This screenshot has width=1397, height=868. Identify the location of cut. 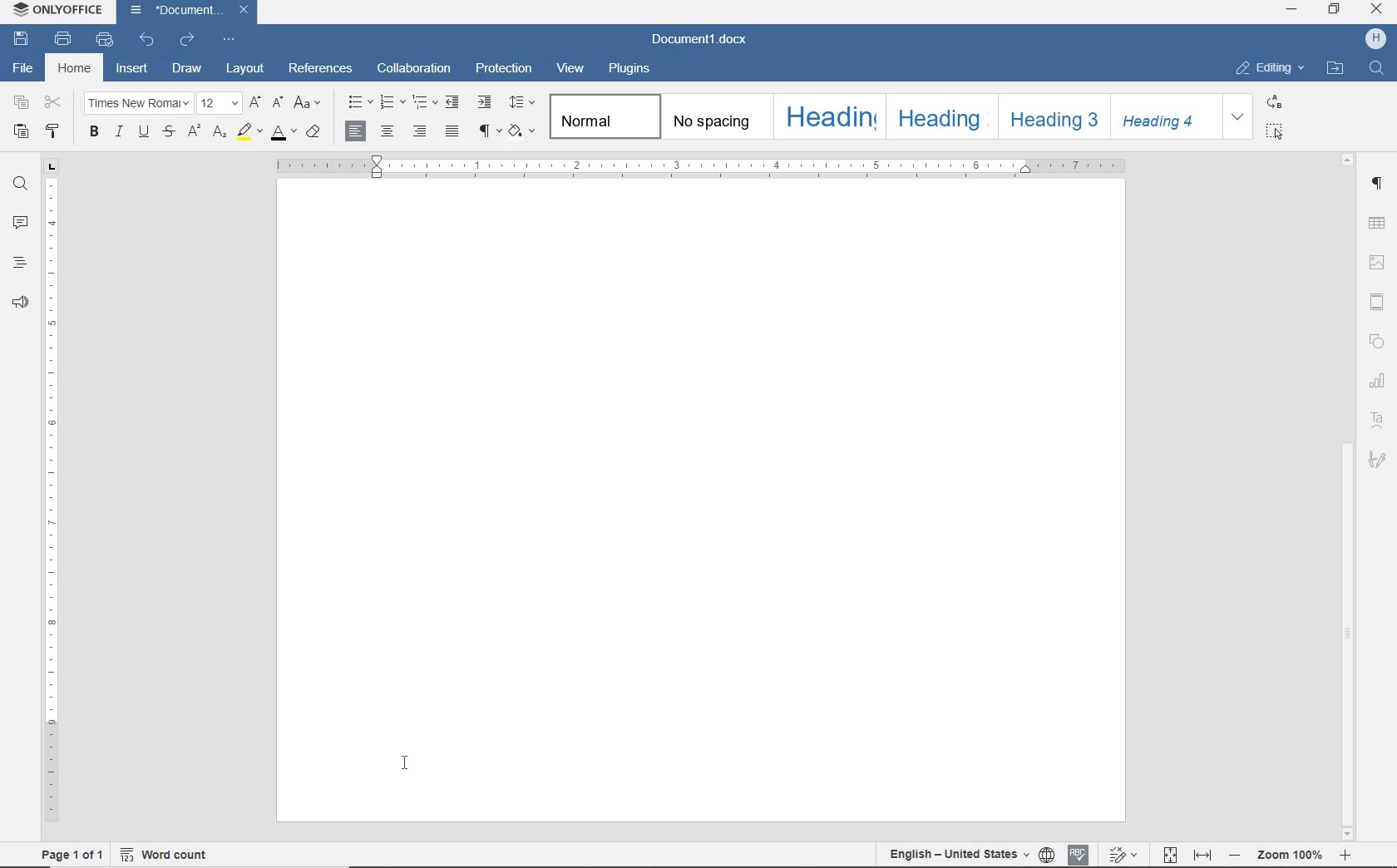
(52, 103).